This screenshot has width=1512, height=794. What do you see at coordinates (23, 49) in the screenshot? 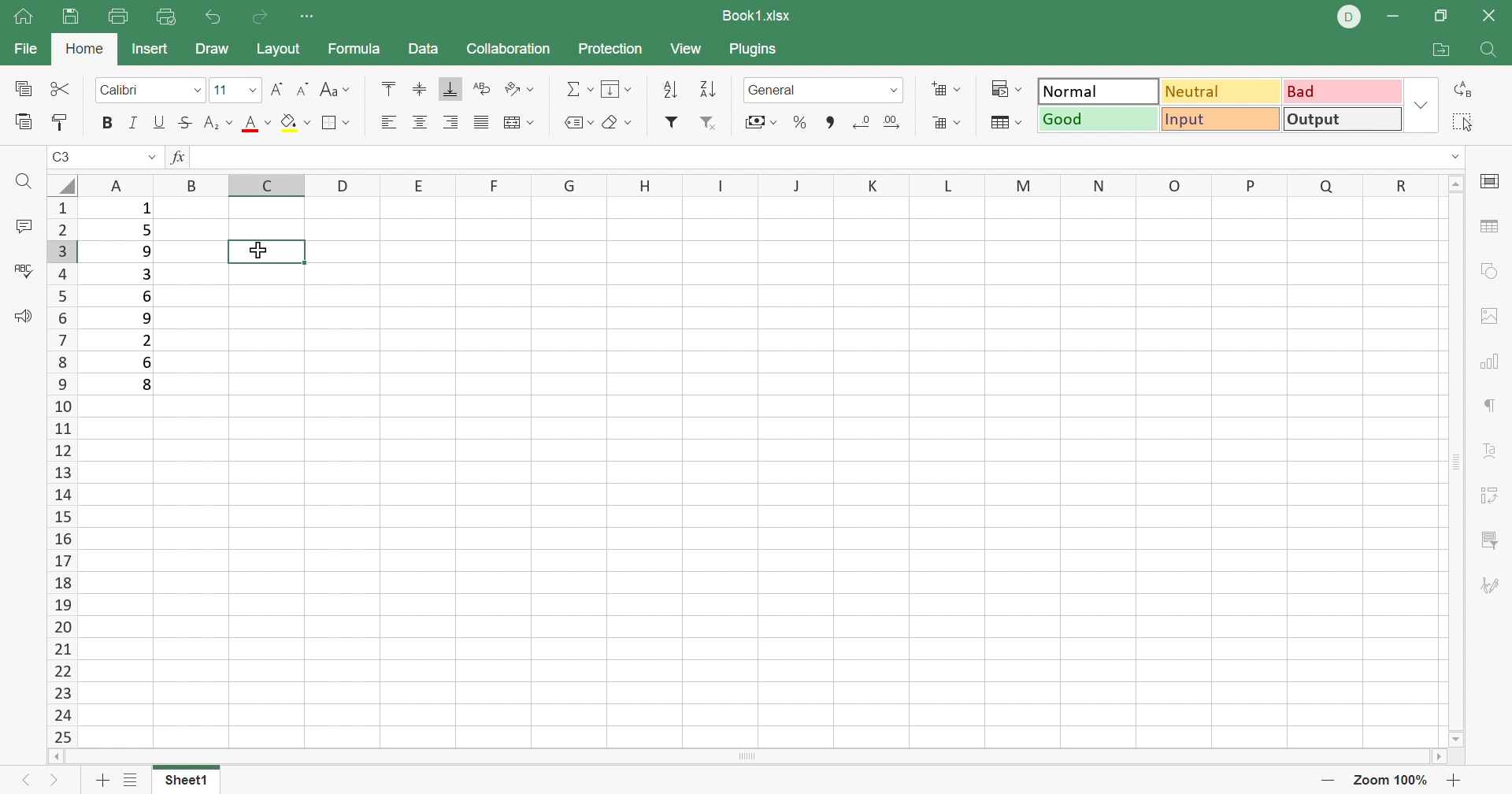
I see `File` at bounding box center [23, 49].